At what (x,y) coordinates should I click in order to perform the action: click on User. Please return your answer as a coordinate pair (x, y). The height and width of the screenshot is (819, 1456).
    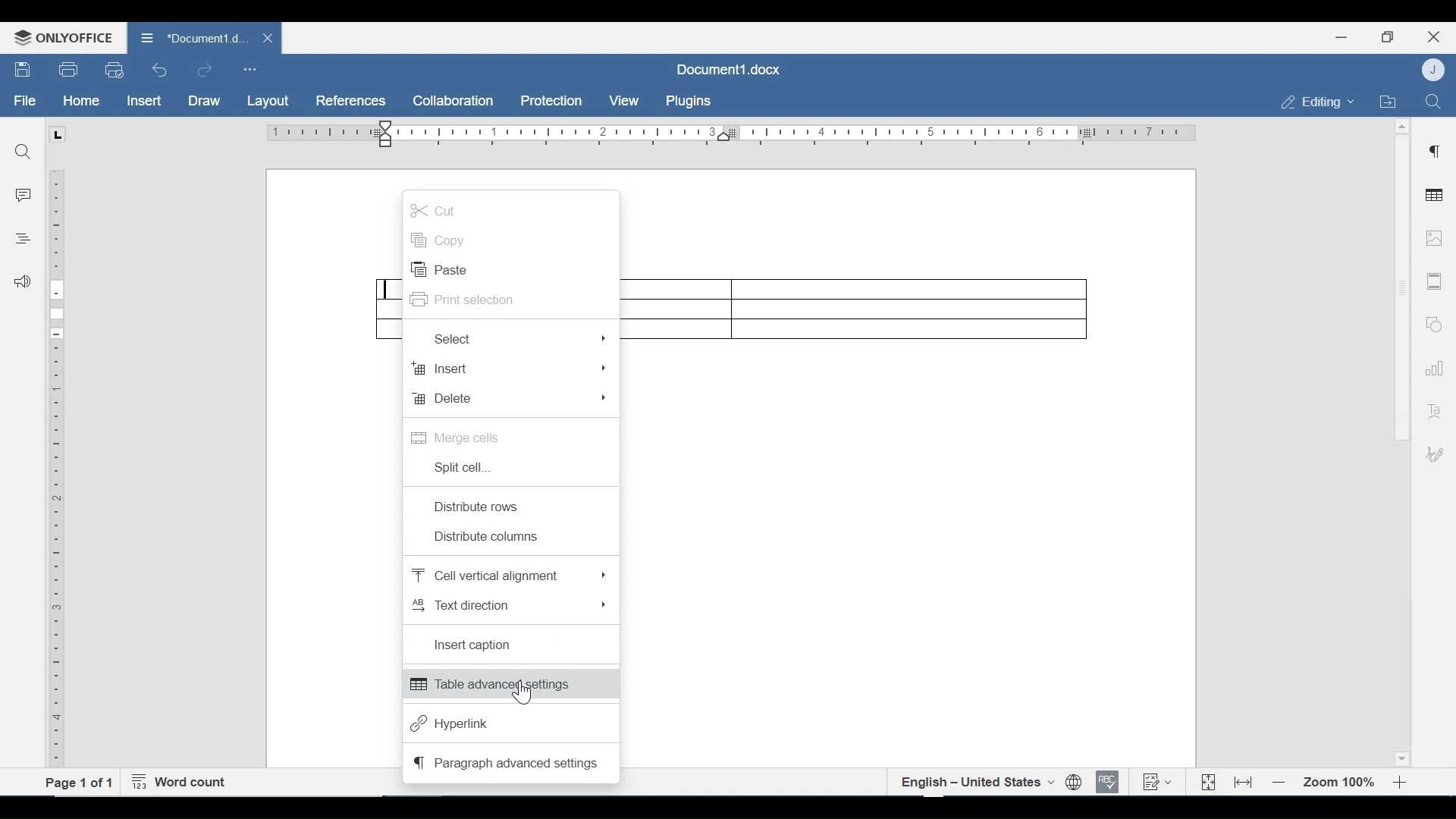
    Looking at the image, I should click on (1435, 69).